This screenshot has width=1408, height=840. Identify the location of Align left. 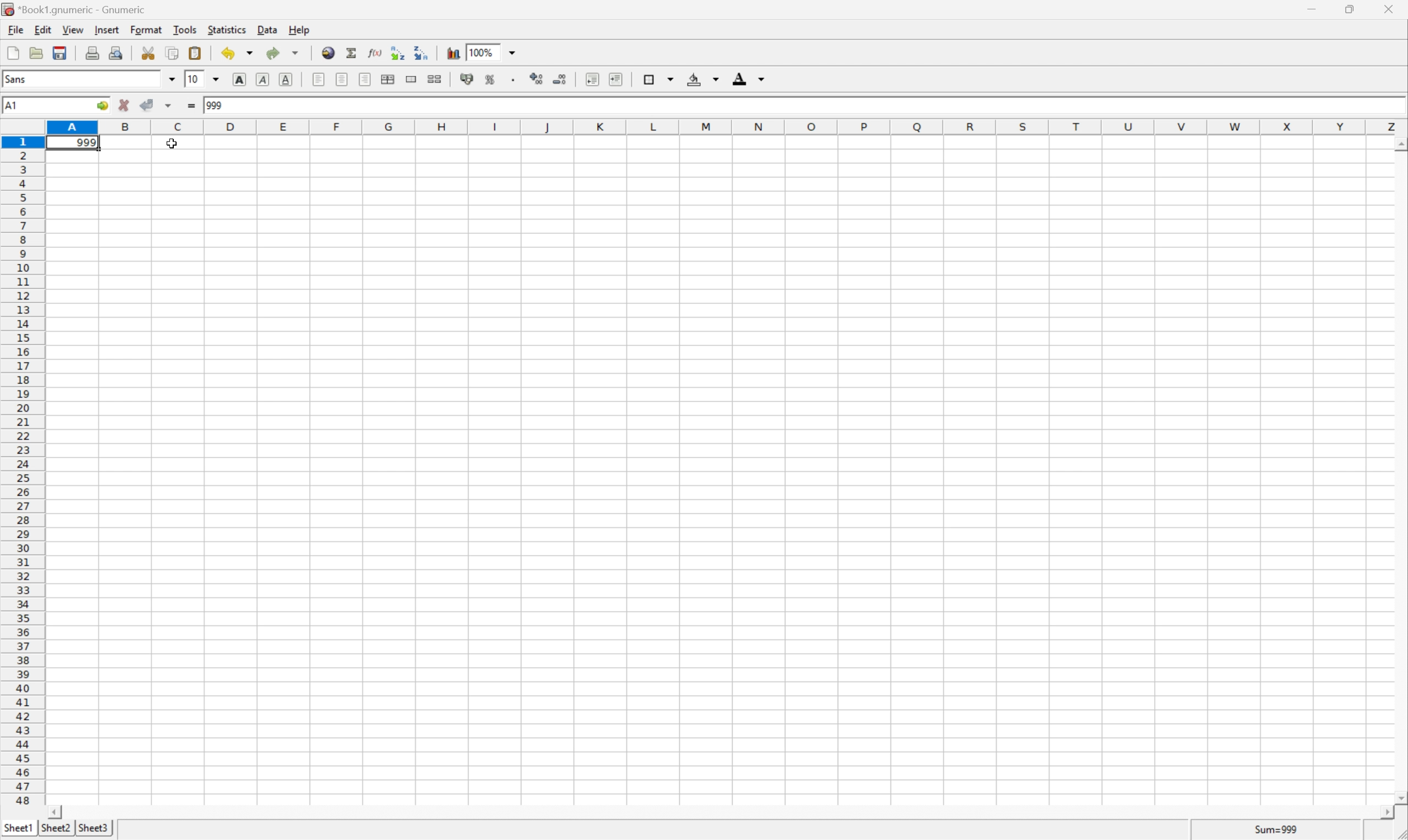
(318, 80).